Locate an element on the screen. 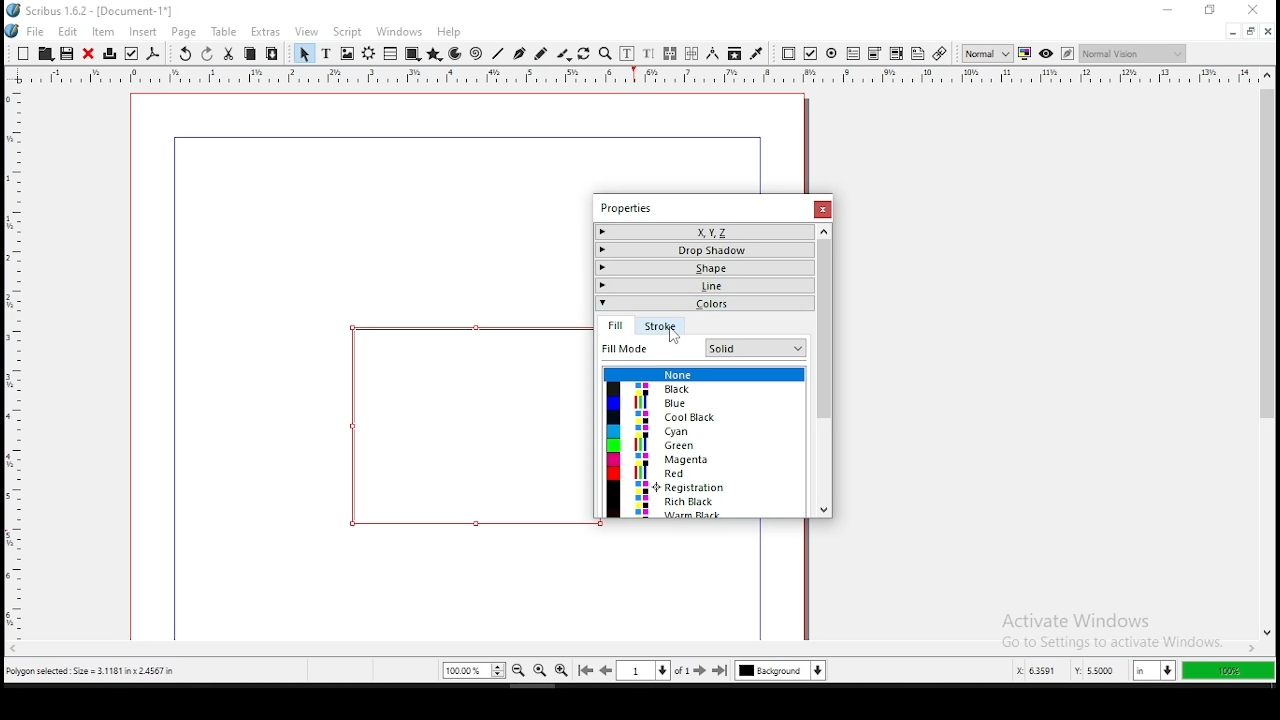 This screenshot has height=720, width=1280. text is located at coordinates (327, 53).